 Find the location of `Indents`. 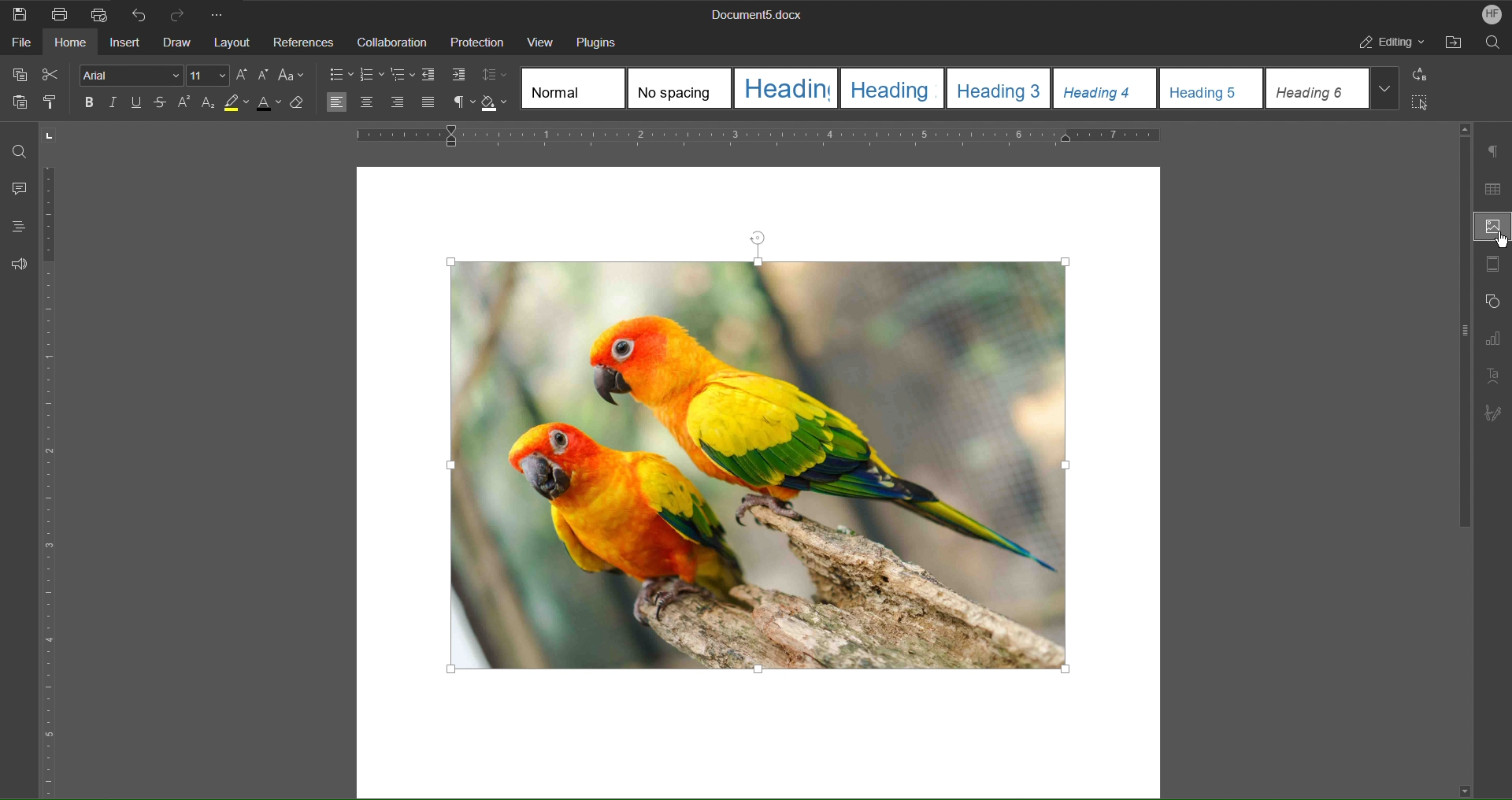

Indents is located at coordinates (447, 76).